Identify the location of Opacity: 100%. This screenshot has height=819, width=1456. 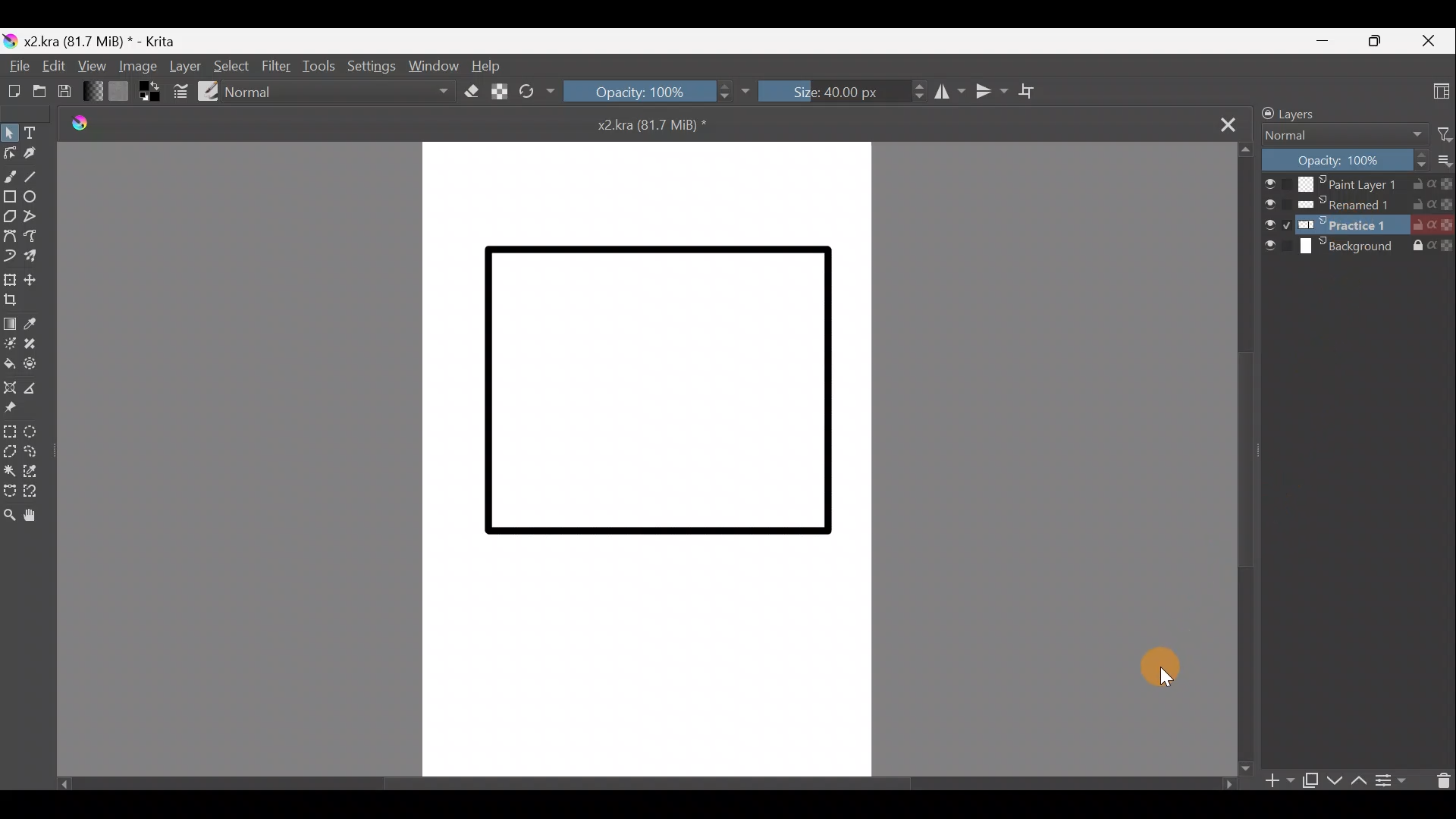
(656, 94).